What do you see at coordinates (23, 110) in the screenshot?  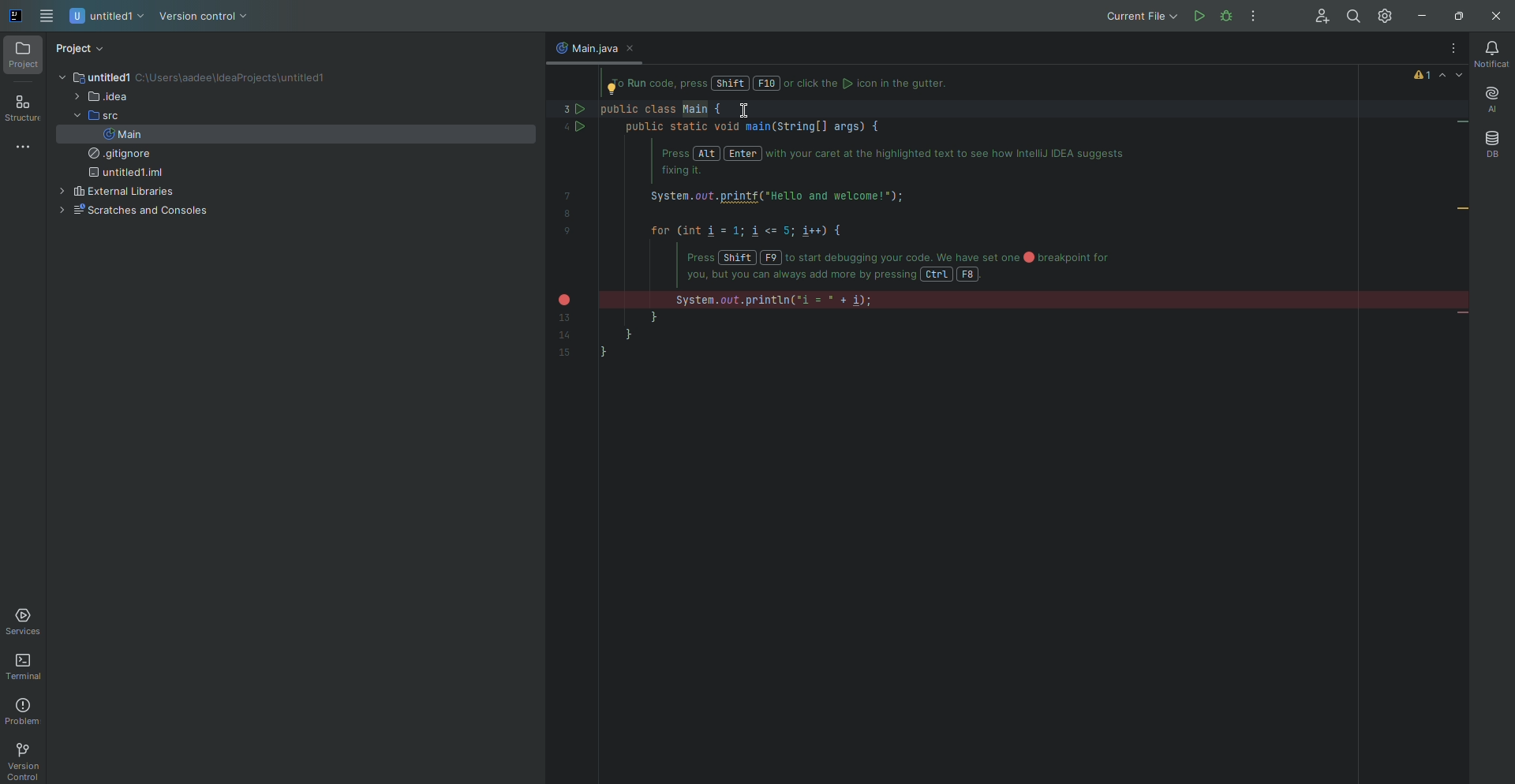 I see `Structure` at bounding box center [23, 110].